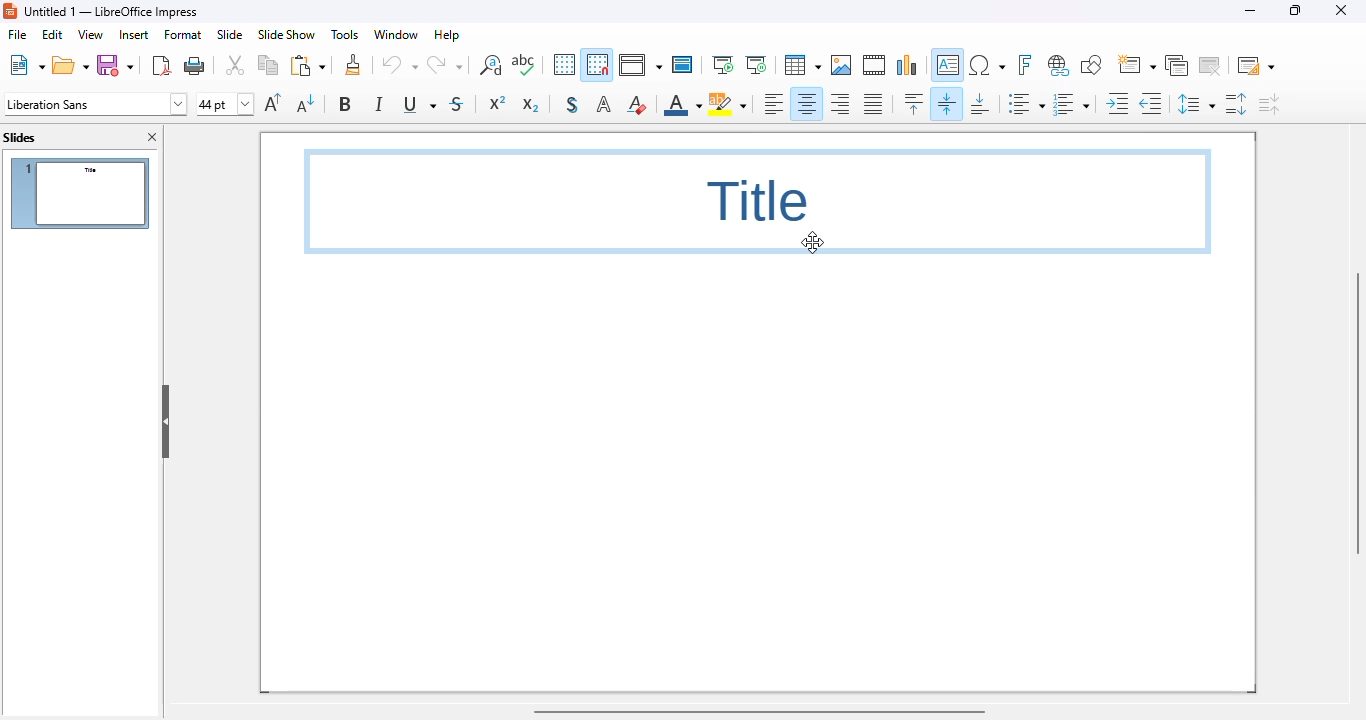 Image resolution: width=1366 pixels, height=720 pixels. Describe the element at coordinates (154, 137) in the screenshot. I see `close pane` at that location.